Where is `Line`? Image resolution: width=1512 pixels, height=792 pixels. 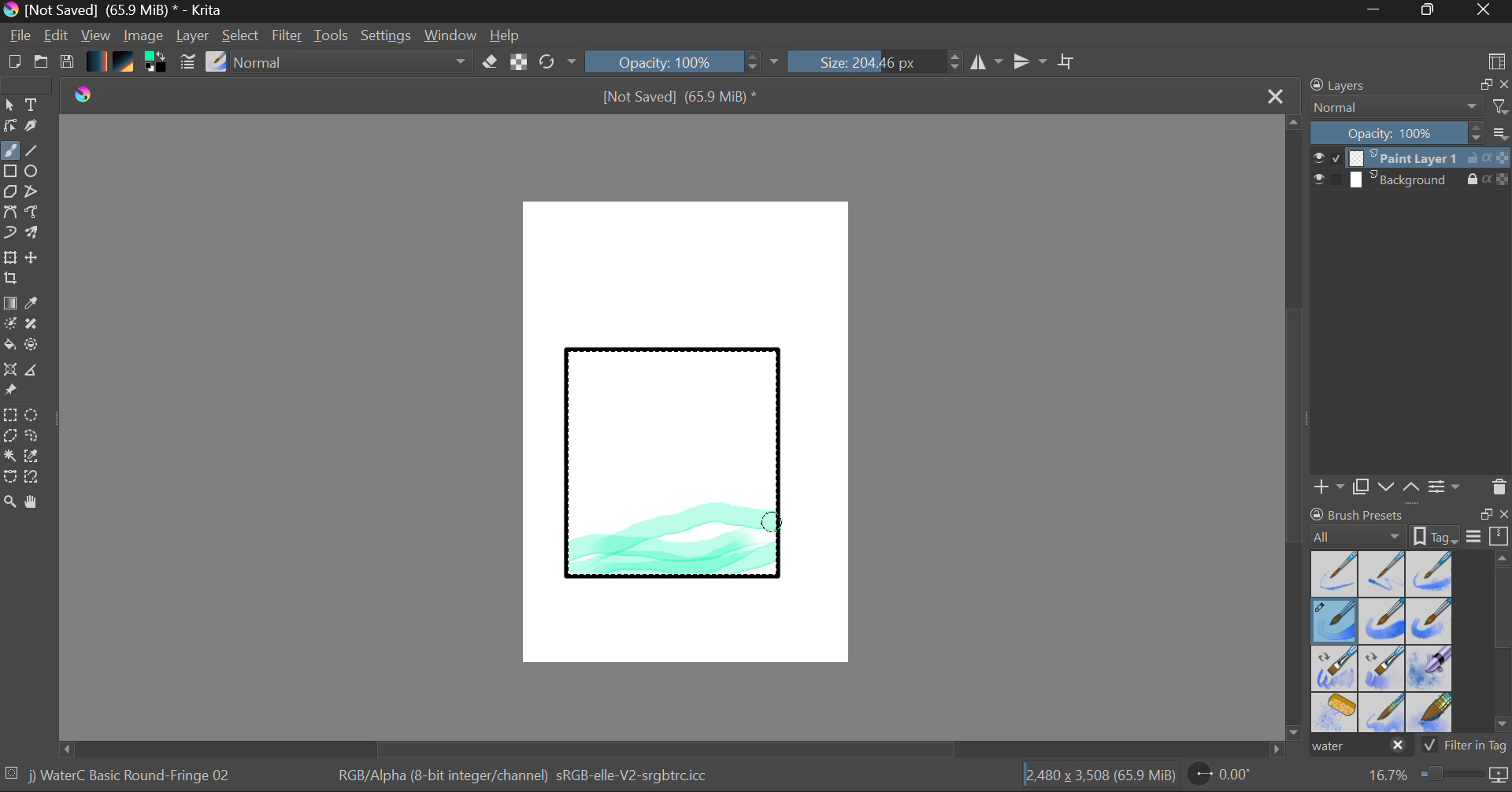 Line is located at coordinates (32, 151).